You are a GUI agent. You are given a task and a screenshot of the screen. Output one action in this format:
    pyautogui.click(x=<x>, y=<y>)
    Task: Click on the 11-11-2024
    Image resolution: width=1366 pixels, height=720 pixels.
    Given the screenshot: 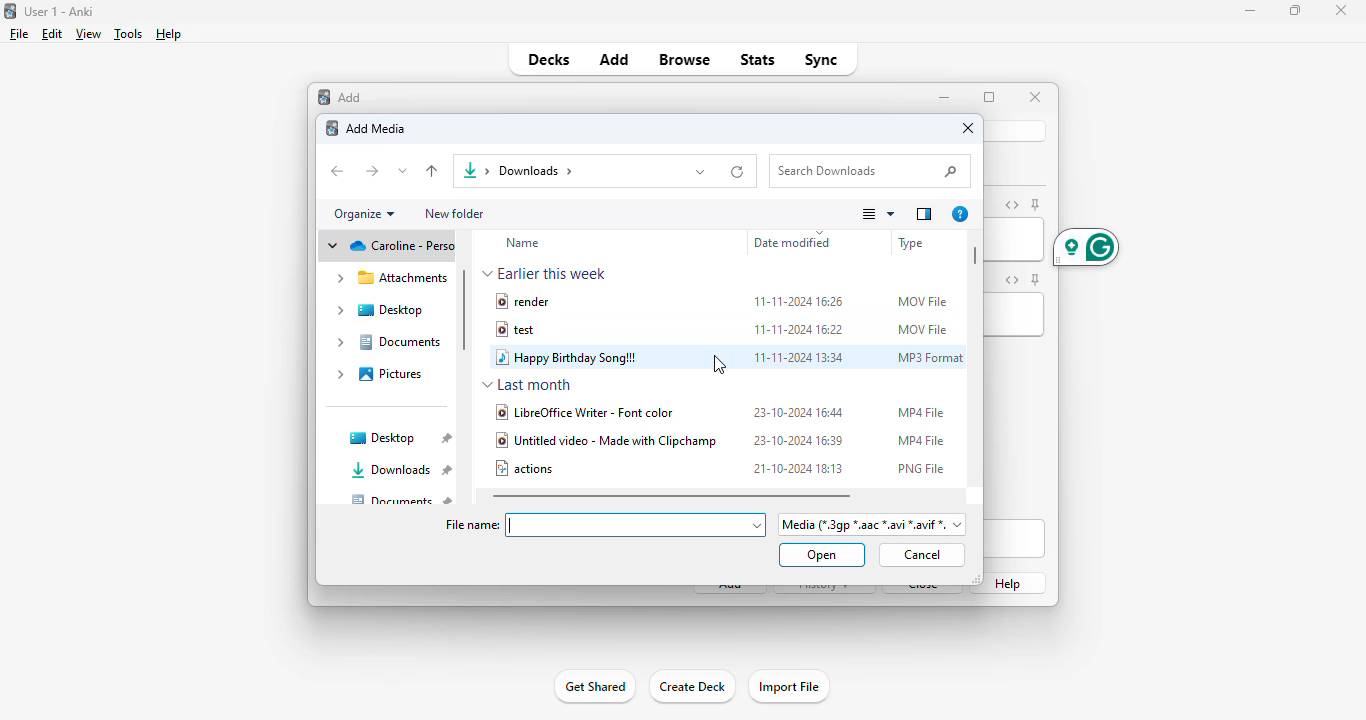 What is the action you would take?
    pyautogui.click(x=800, y=330)
    